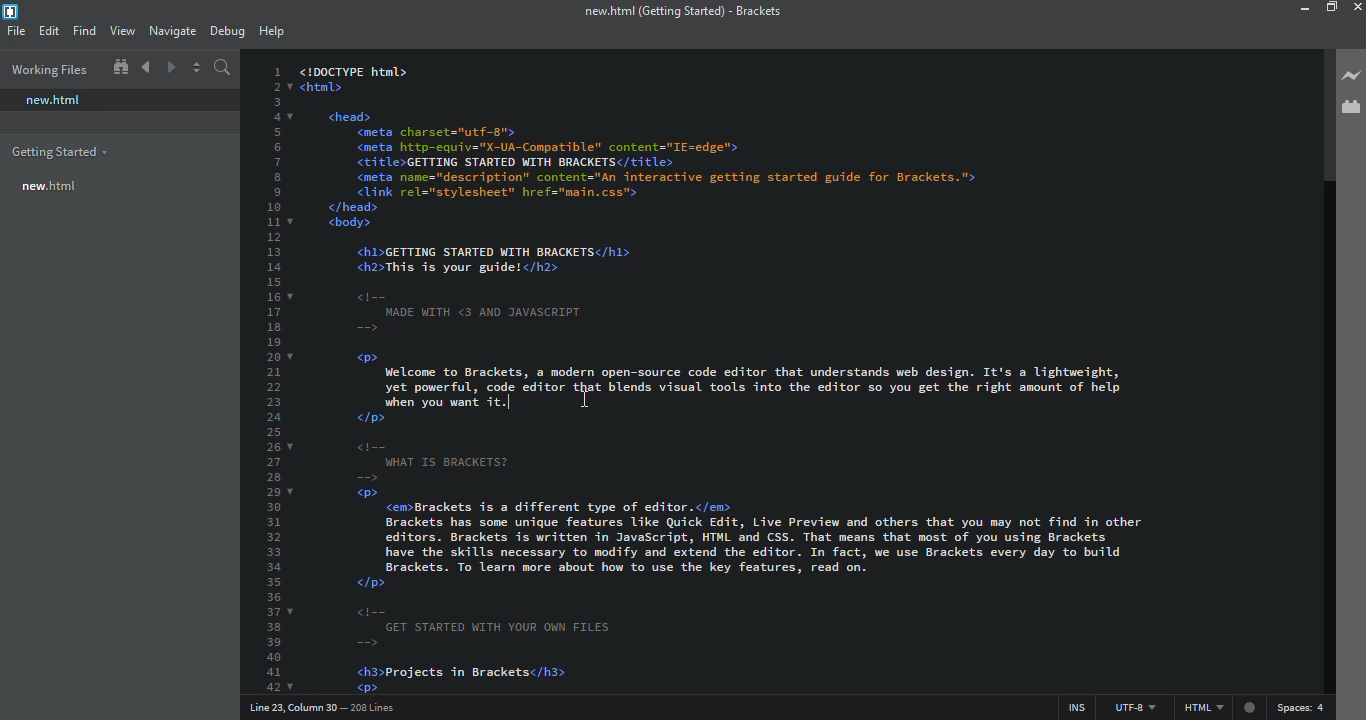 Image resolution: width=1366 pixels, height=720 pixels. What do you see at coordinates (227, 32) in the screenshot?
I see `debug` at bounding box center [227, 32].